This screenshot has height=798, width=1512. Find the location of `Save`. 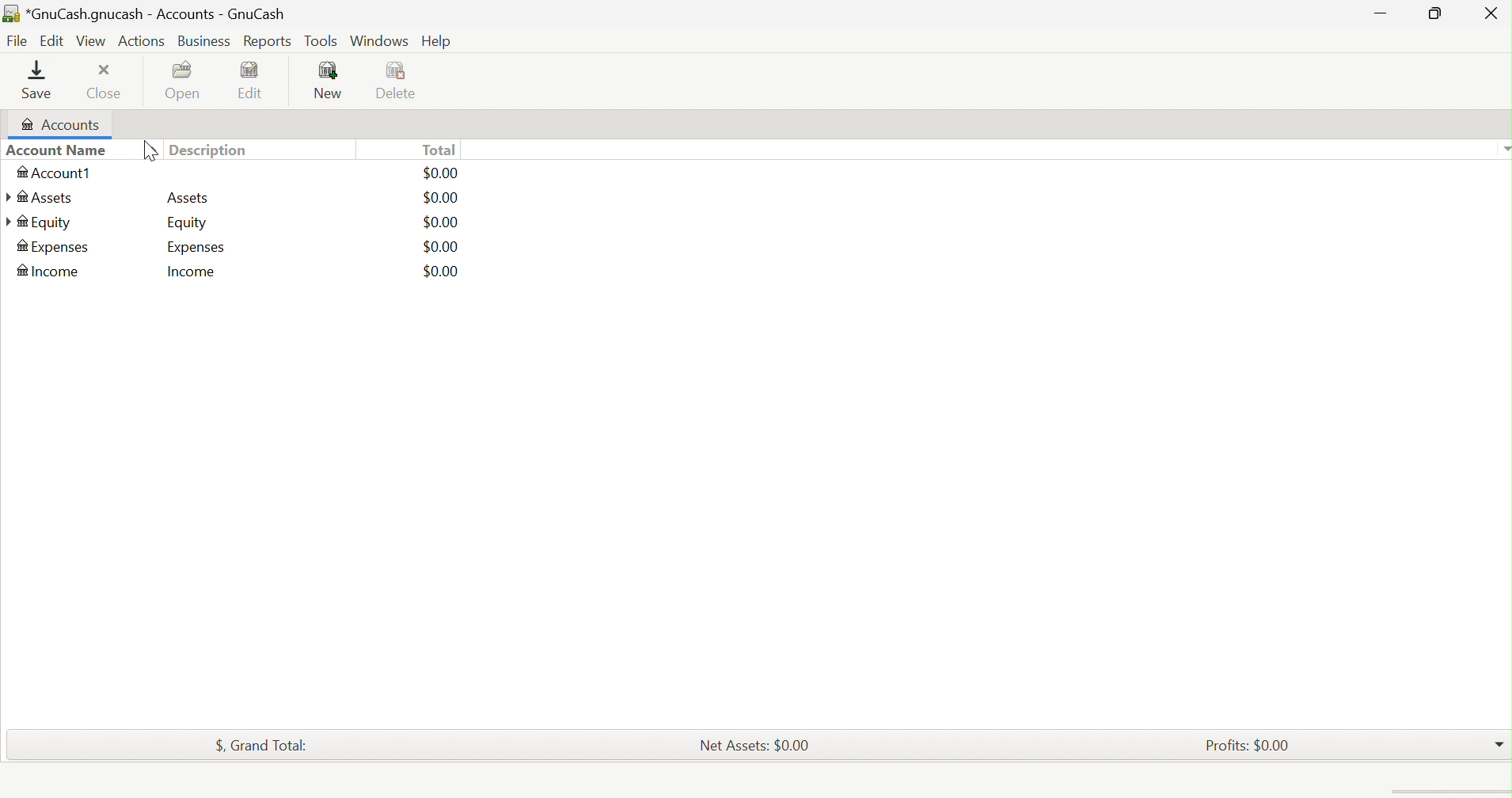

Save is located at coordinates (42, 80).